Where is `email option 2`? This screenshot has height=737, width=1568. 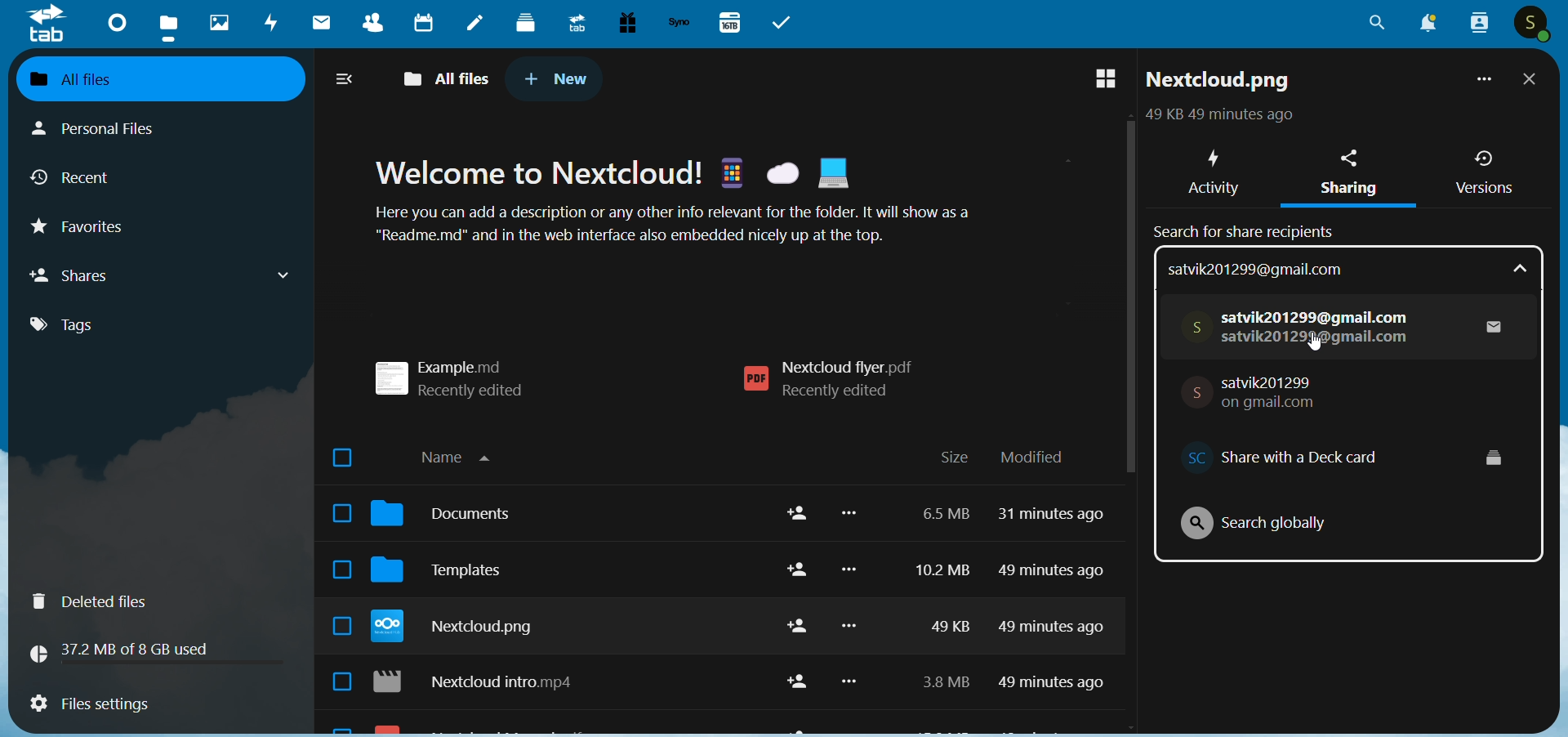
email option 2 is located at coordinates (1265, 393).